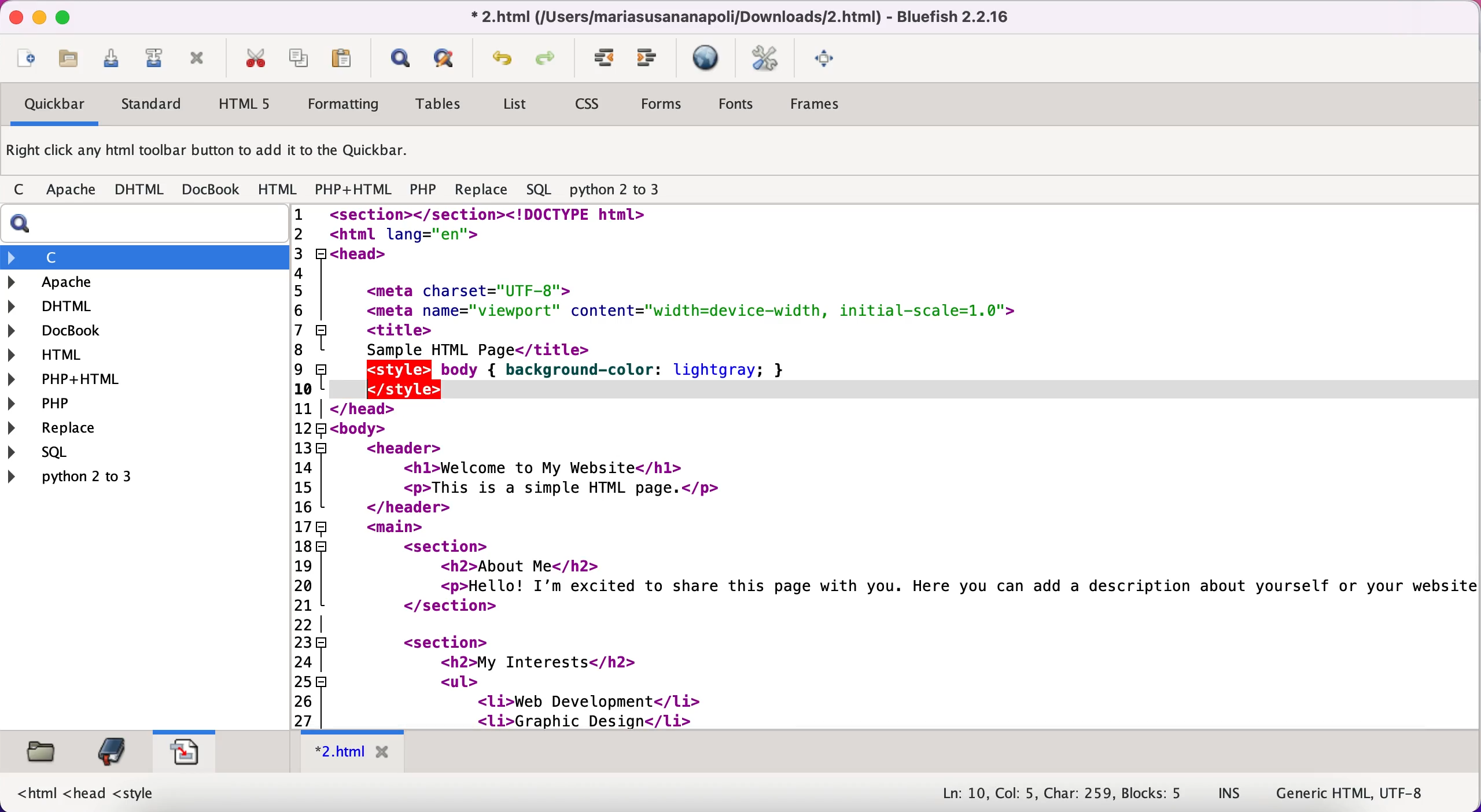 The width and height of the screenshot is (1481, 812). I want to click on save file as, so click(153, 58).